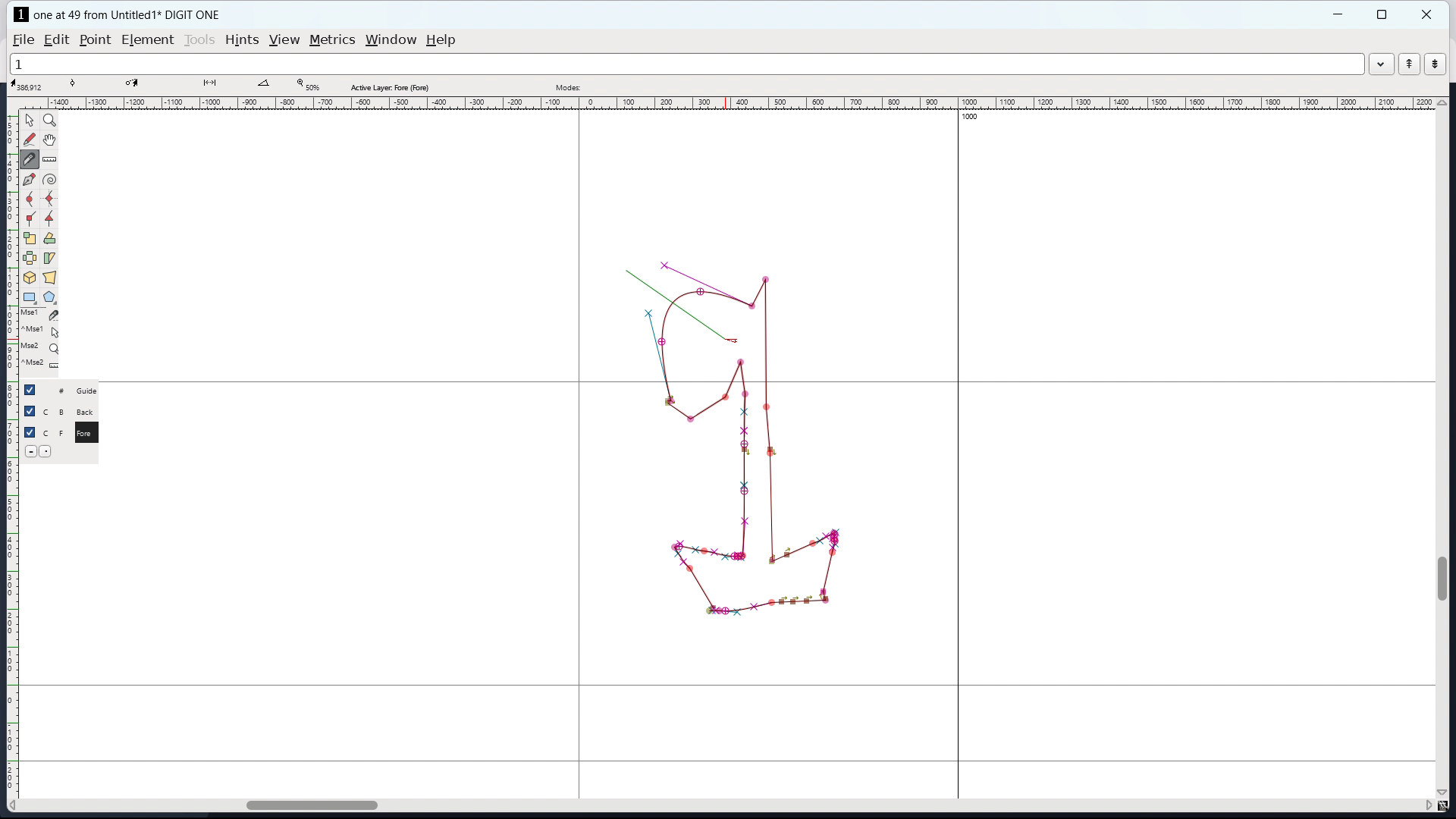 The image size is (1456, 819). What do you see at coordinates (1409, 64) in the screenshot?
I see `previous word in the current word list` at bounding box center [1409, 64].